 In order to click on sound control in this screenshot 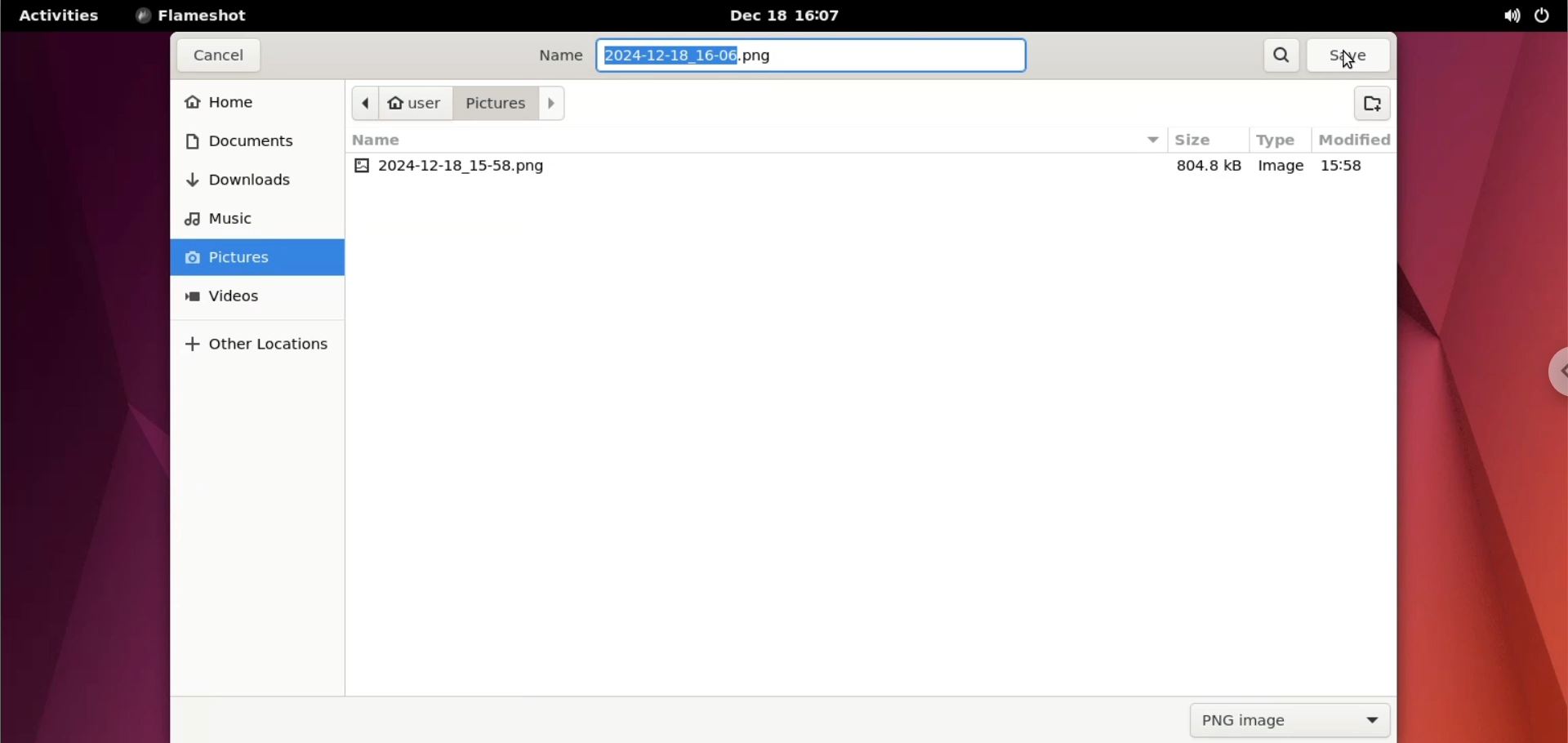, I will do `click(1516, 17)`.